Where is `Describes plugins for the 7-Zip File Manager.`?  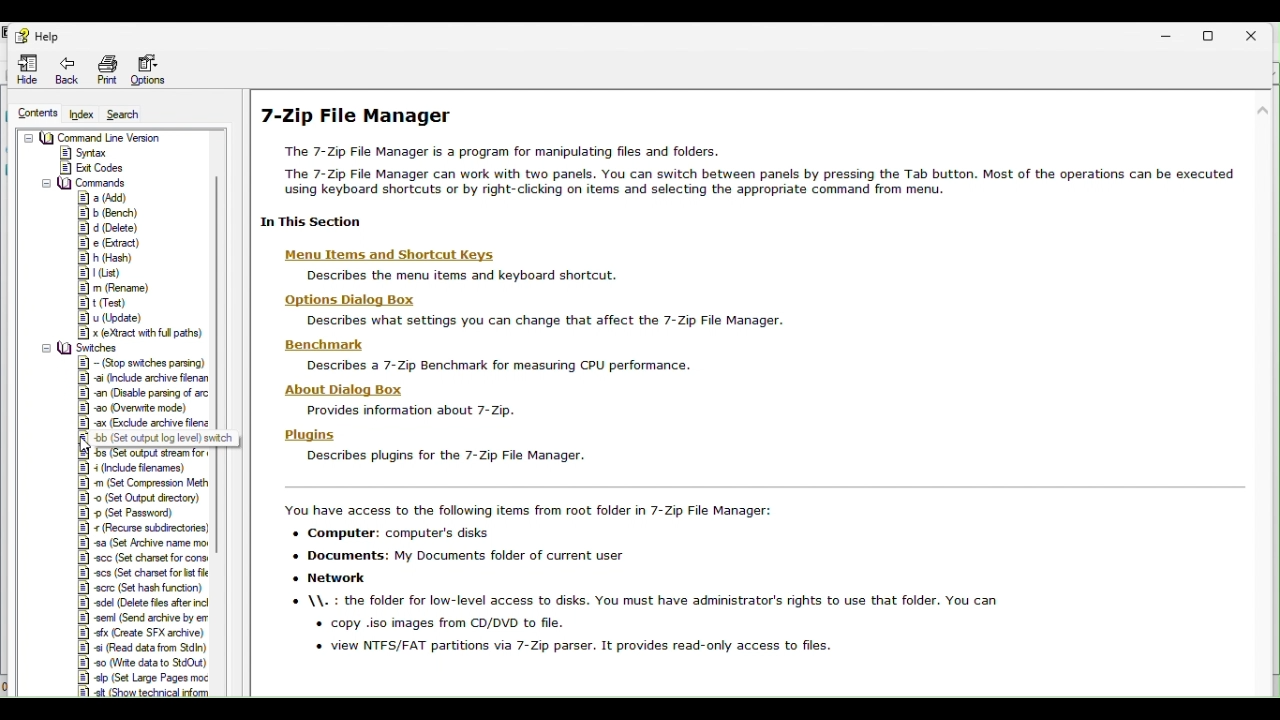 Describes plugins for the 7-Zip File Manager. is located at coordinates (436, 456).